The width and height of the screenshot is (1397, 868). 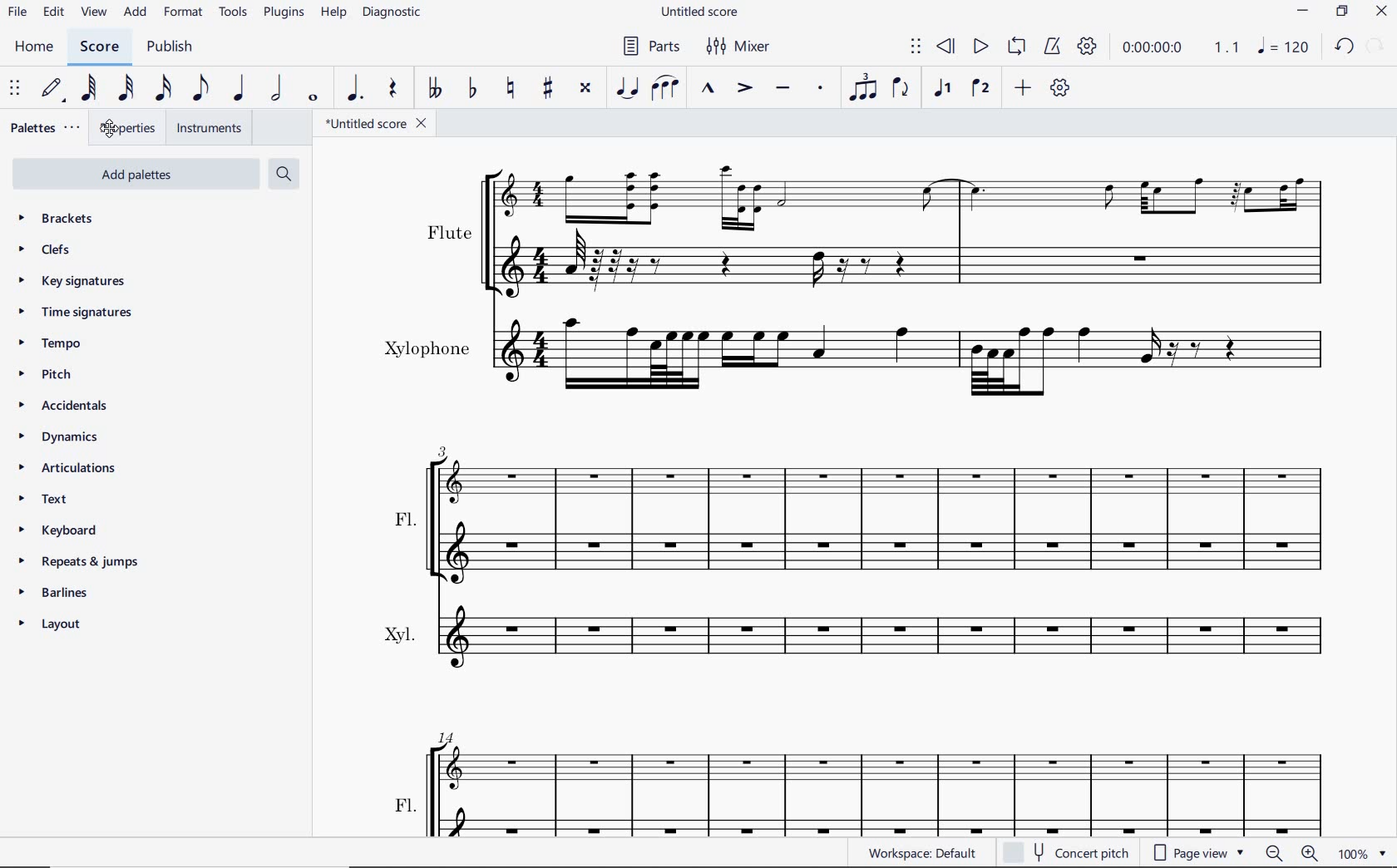 What do you see at coordinates (511, 87) in the screenshot?
I see `TOGGLE NATURAL` at bounding box center [511, 87].